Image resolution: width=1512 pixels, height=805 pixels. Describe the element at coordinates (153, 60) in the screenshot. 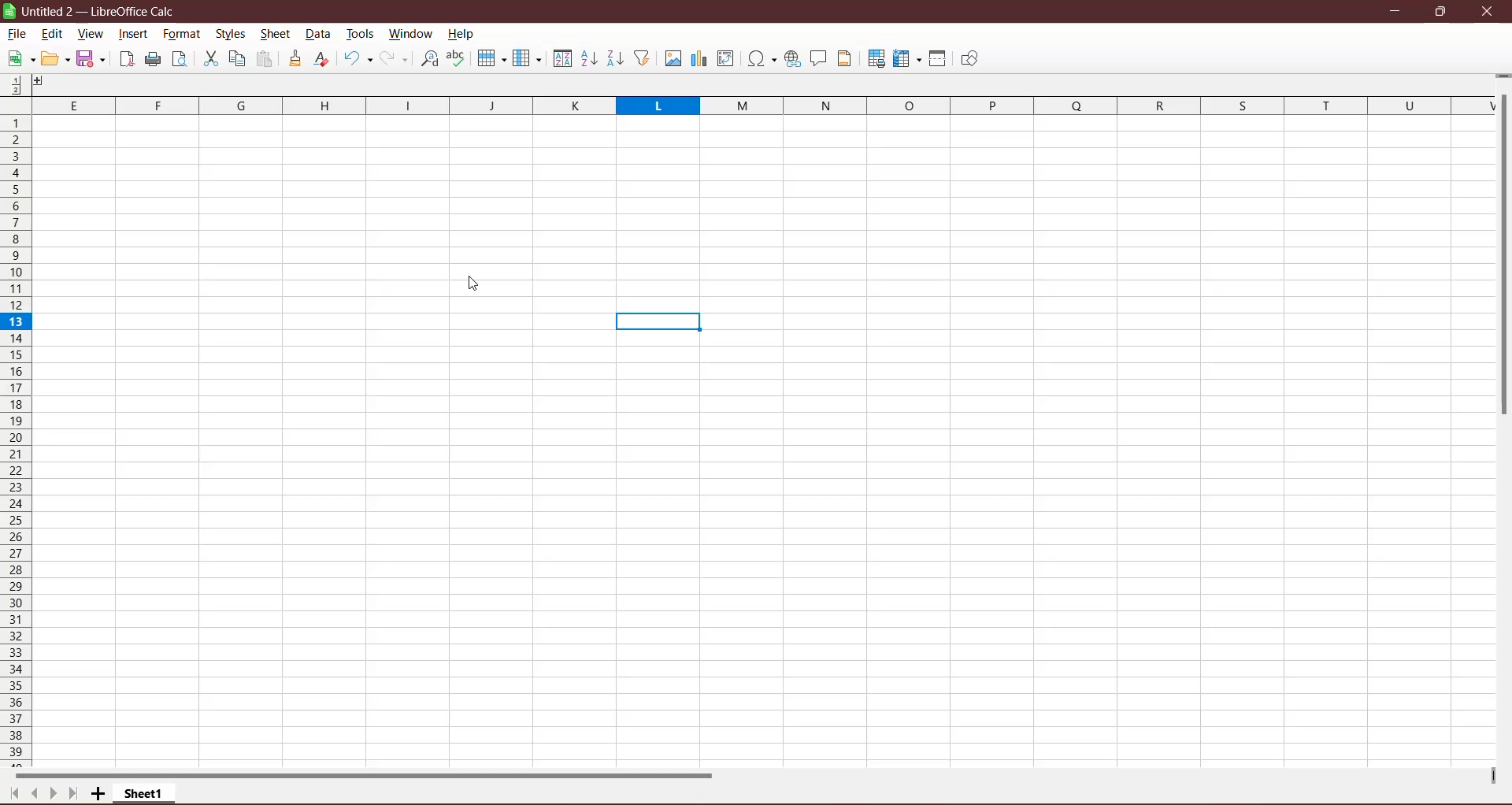

I see `Print` at that location.